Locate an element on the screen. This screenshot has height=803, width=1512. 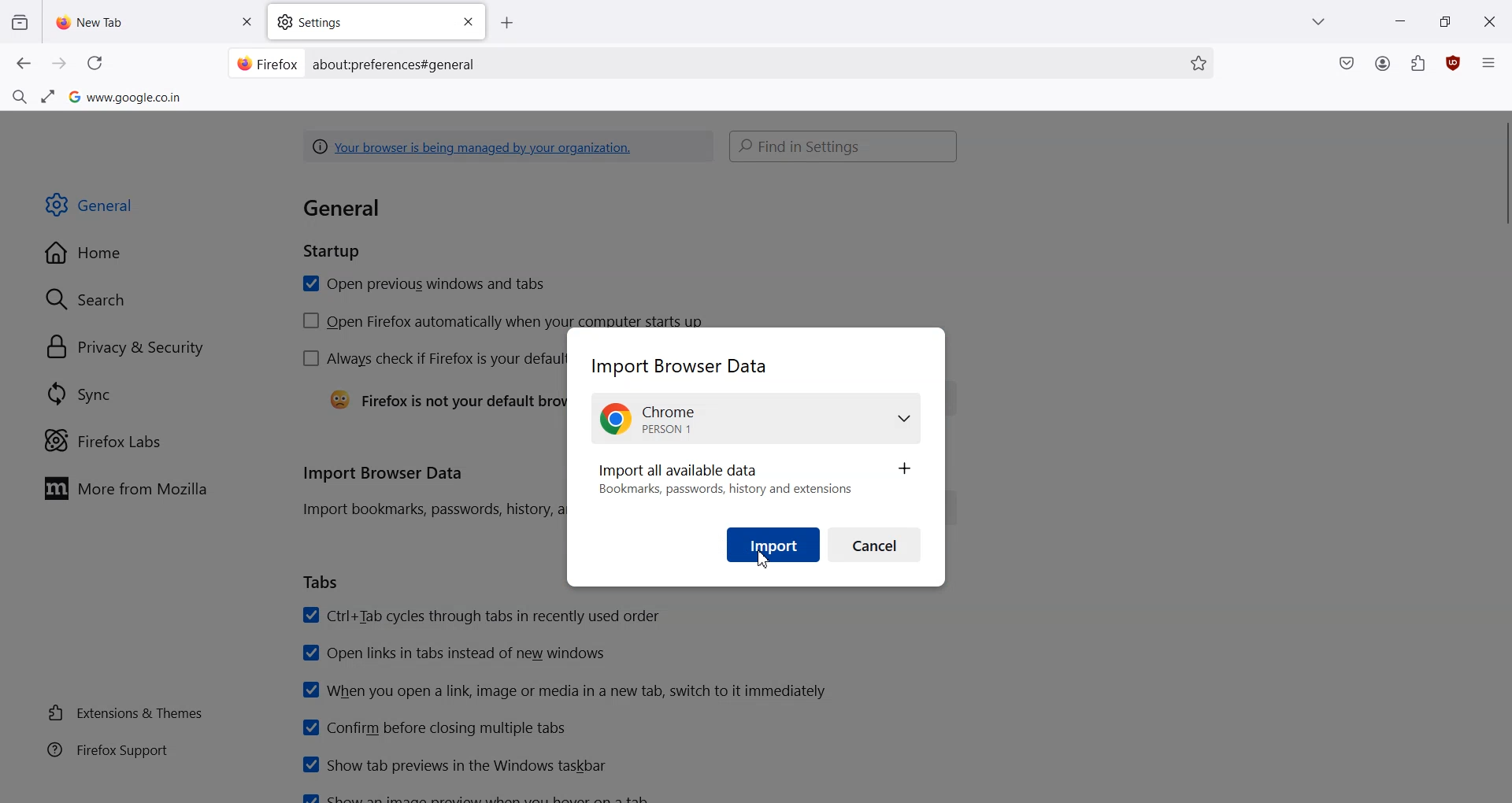
Hyperlink is located at coordinates (397, 65).